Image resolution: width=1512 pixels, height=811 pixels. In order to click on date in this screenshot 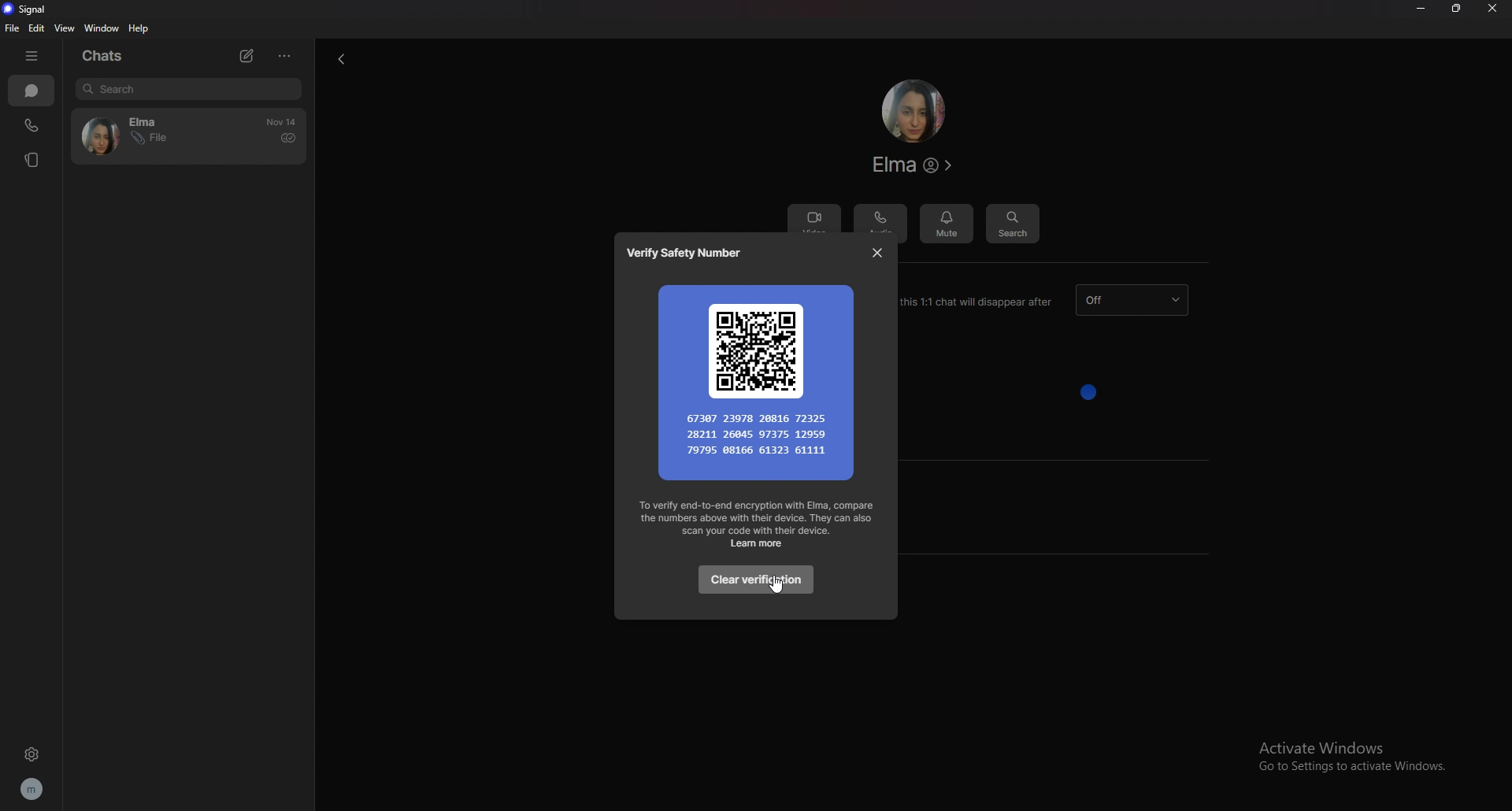, I will do `click(283, 122)`.